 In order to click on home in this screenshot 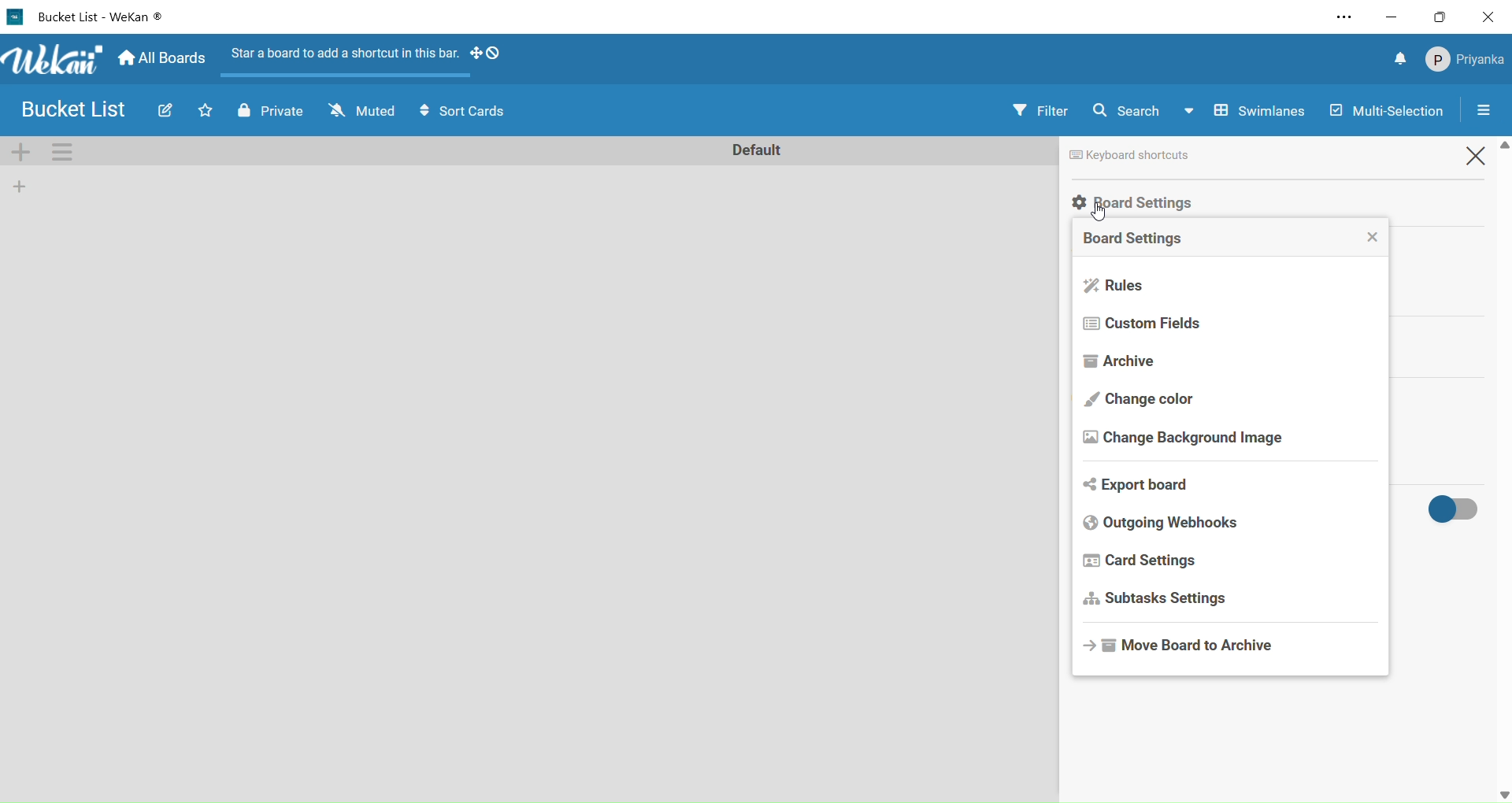, I will do `click(164, 58)`.